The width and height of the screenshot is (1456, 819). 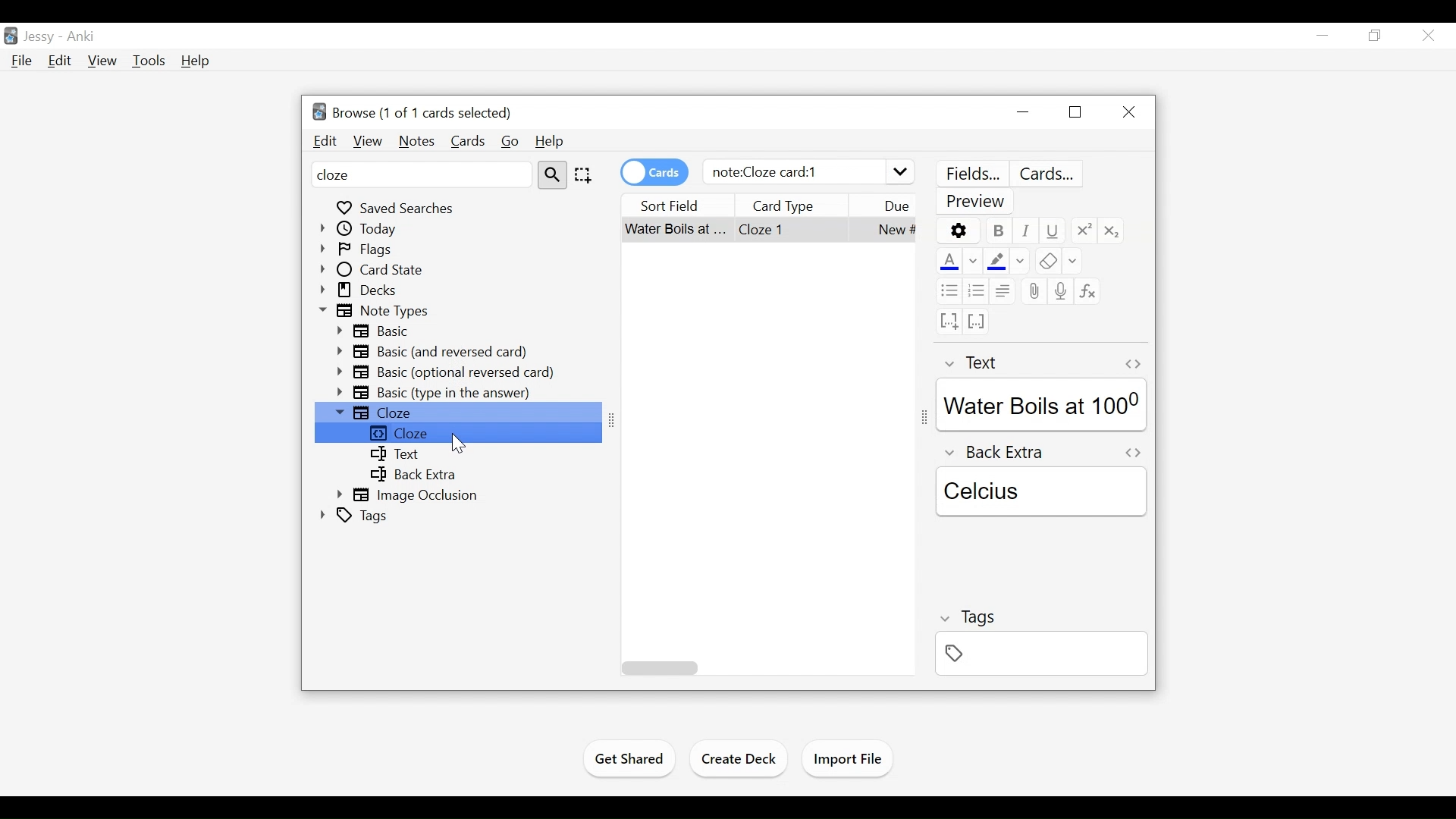 What do you see at coordinates (1004, 290) in the screenshot?
I see `Alignment` at bounding box center [1004, 290].